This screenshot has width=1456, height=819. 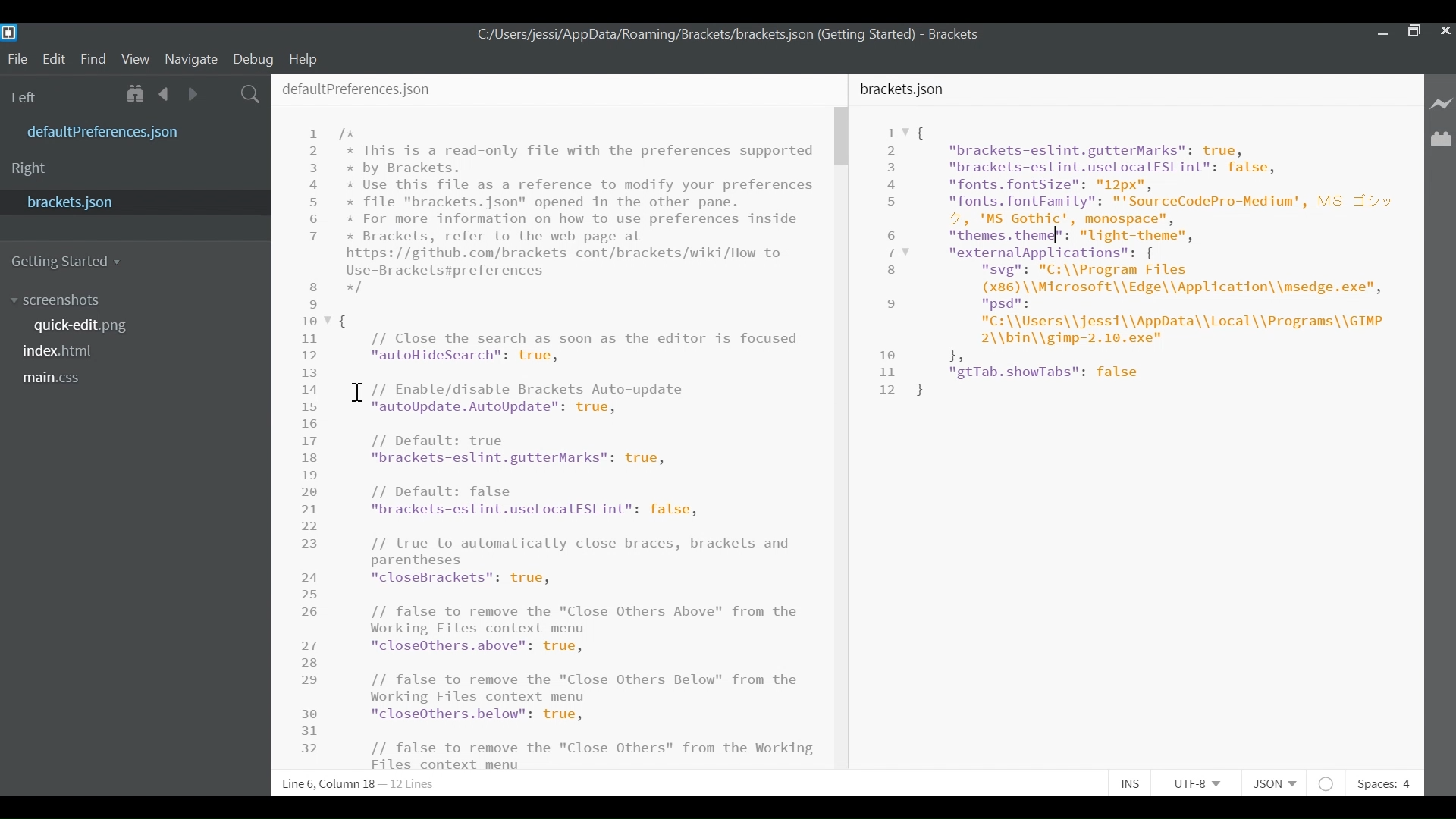 What do you see at coordinates (29, 169) in the screenshot?
I see `Right` at bounding box center [29, 169].